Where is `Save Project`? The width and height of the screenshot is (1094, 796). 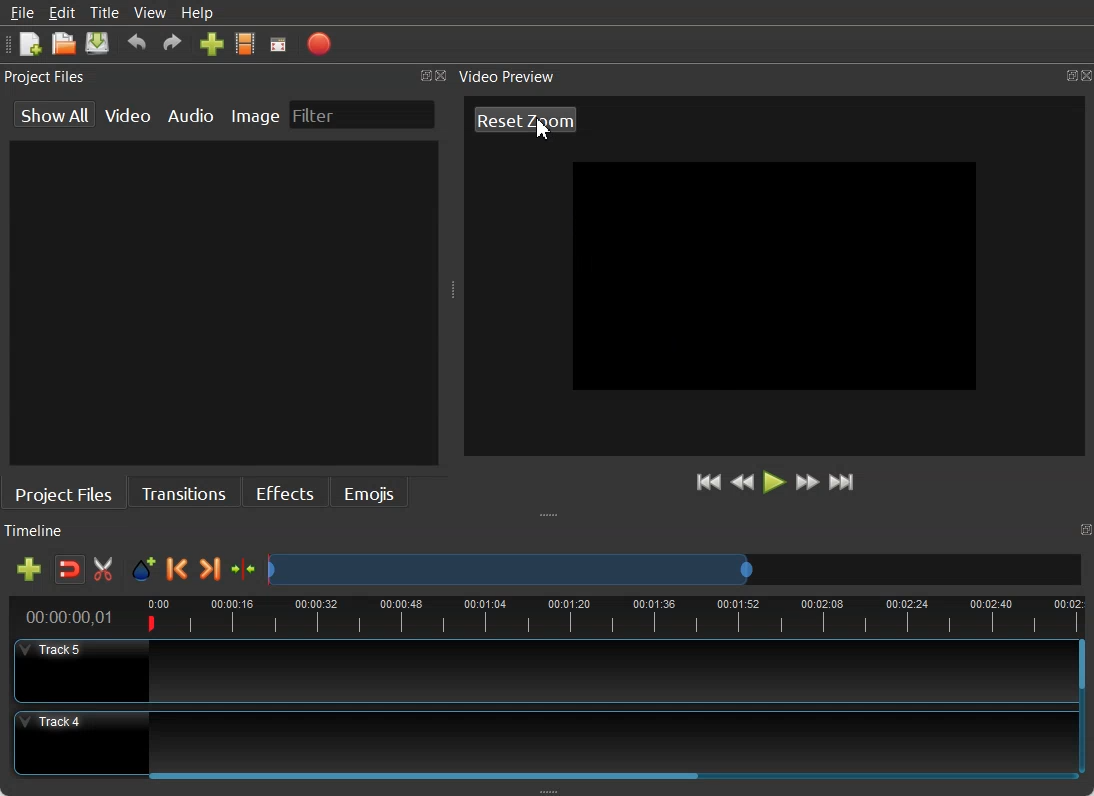
Save Project is located at coordinates (98, 44).